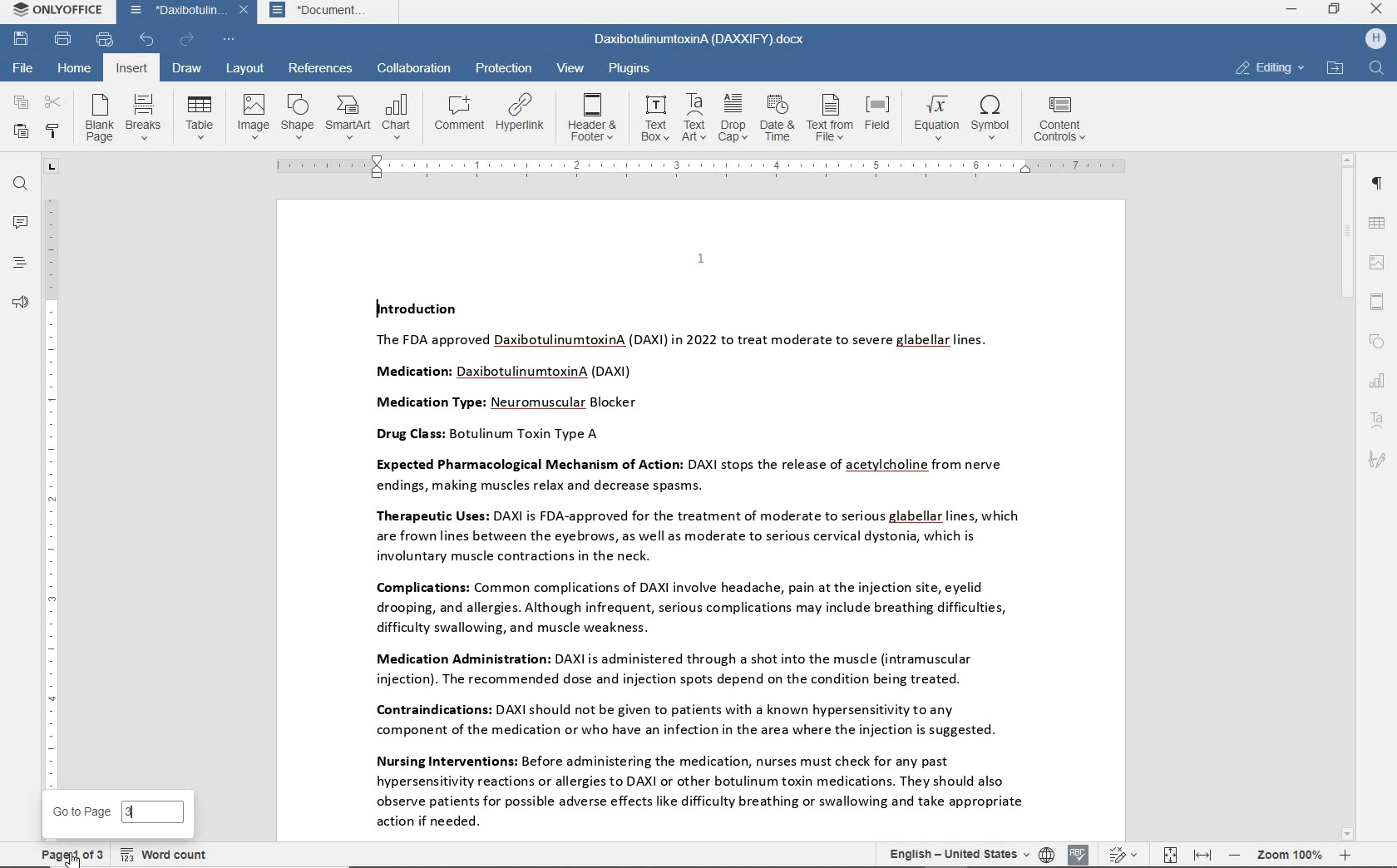  What do you see at coordinates (22, 186) in the screenshot?
I see `find` at bounding box center [22, 186].